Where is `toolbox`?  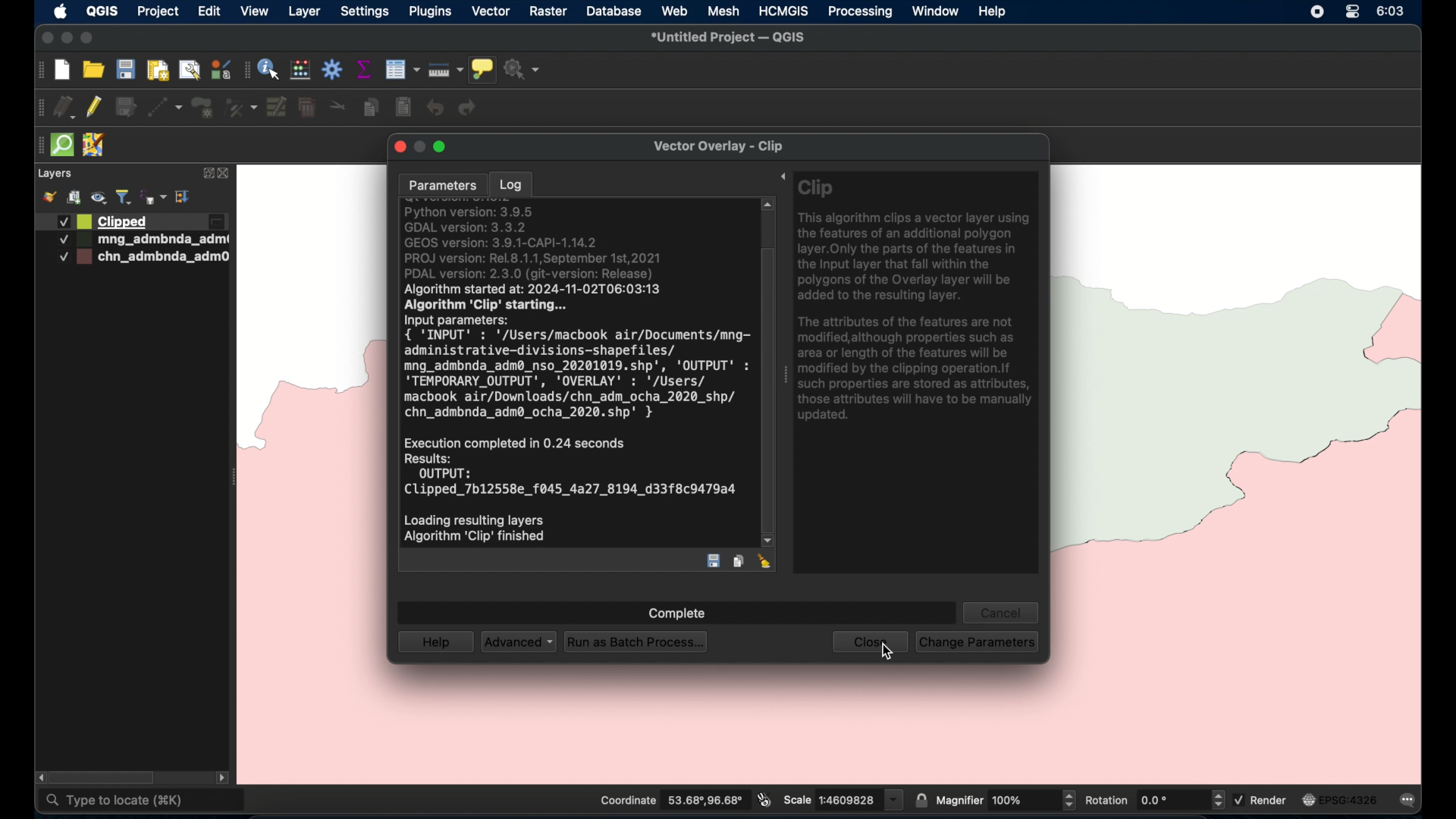
toolbox is located at coordinates (333, 69).